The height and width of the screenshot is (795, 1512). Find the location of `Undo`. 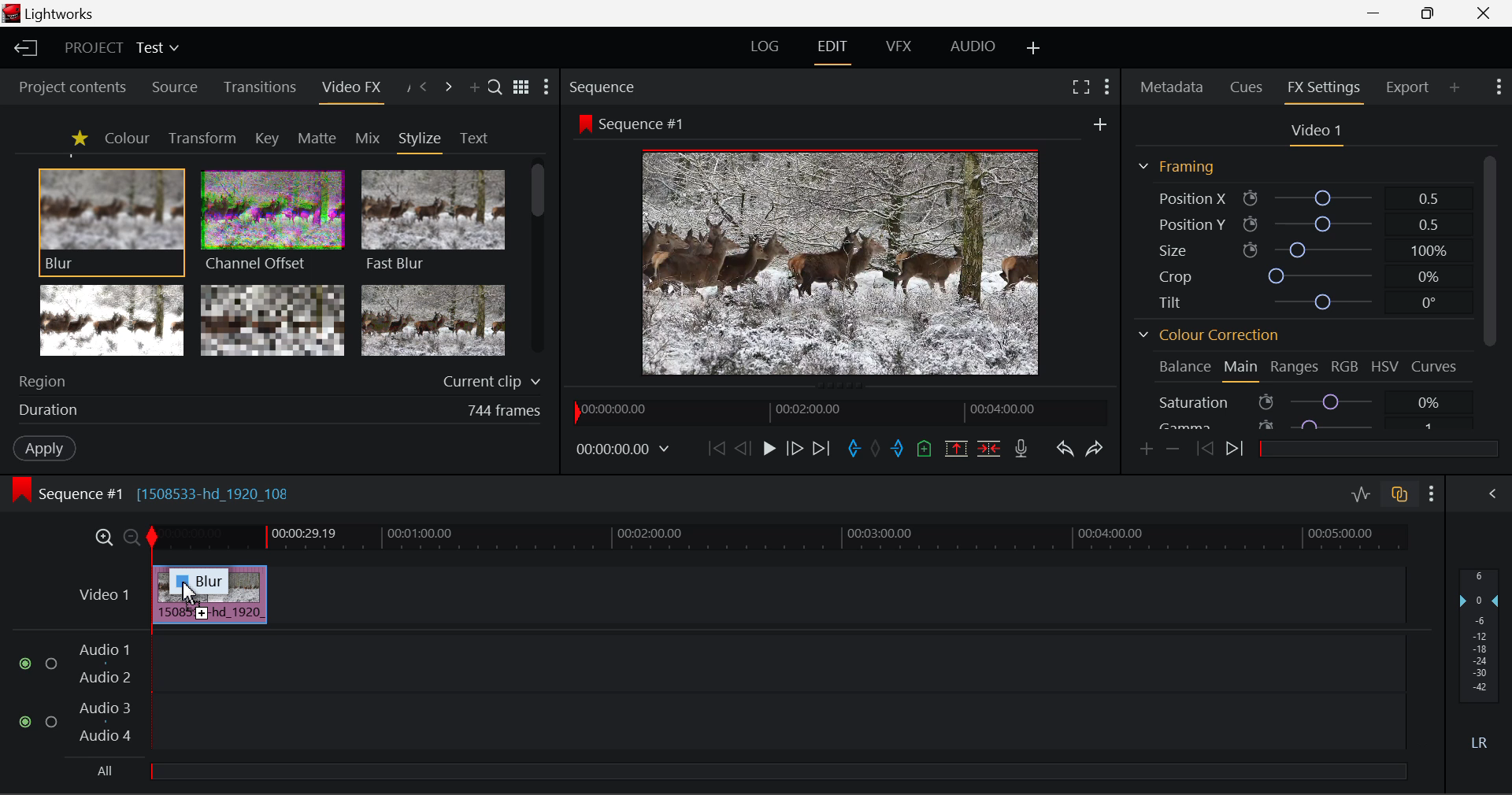

Undo is located at coordinates (1063, 446).